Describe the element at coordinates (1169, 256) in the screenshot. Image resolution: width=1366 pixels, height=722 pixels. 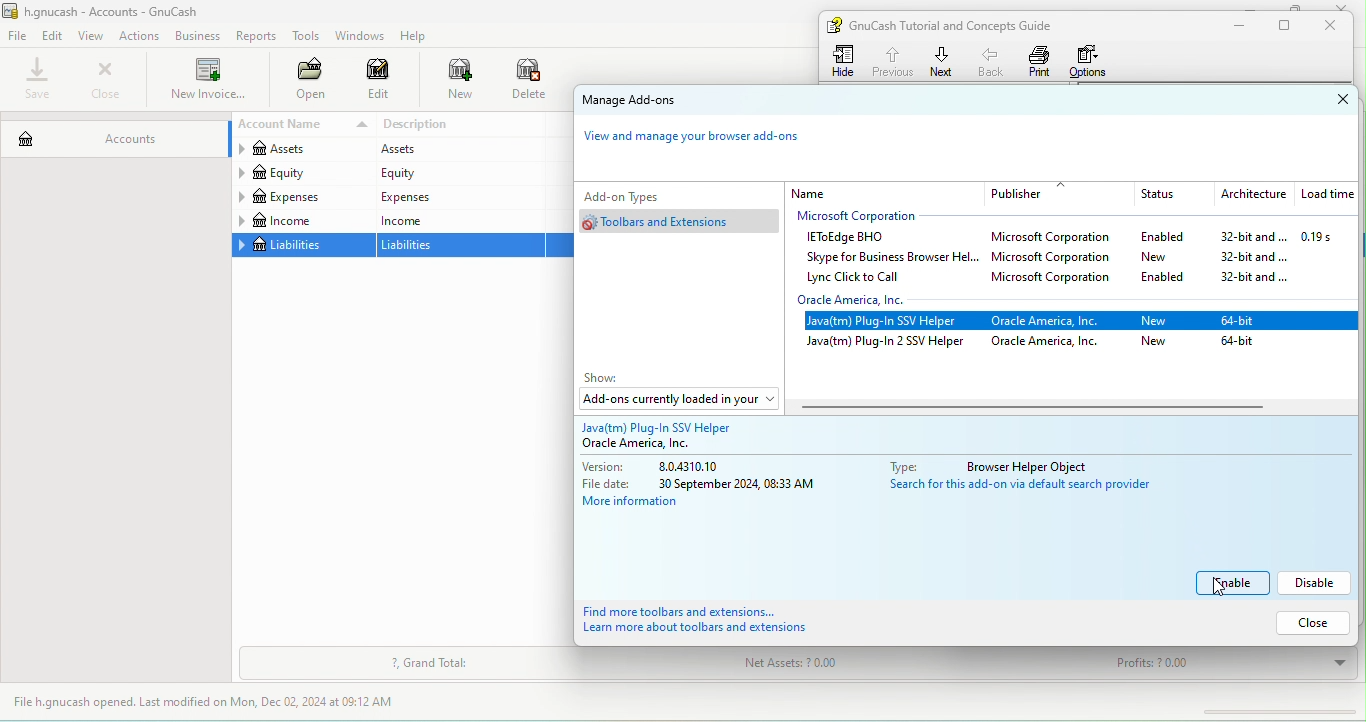
I see `new` at that location.